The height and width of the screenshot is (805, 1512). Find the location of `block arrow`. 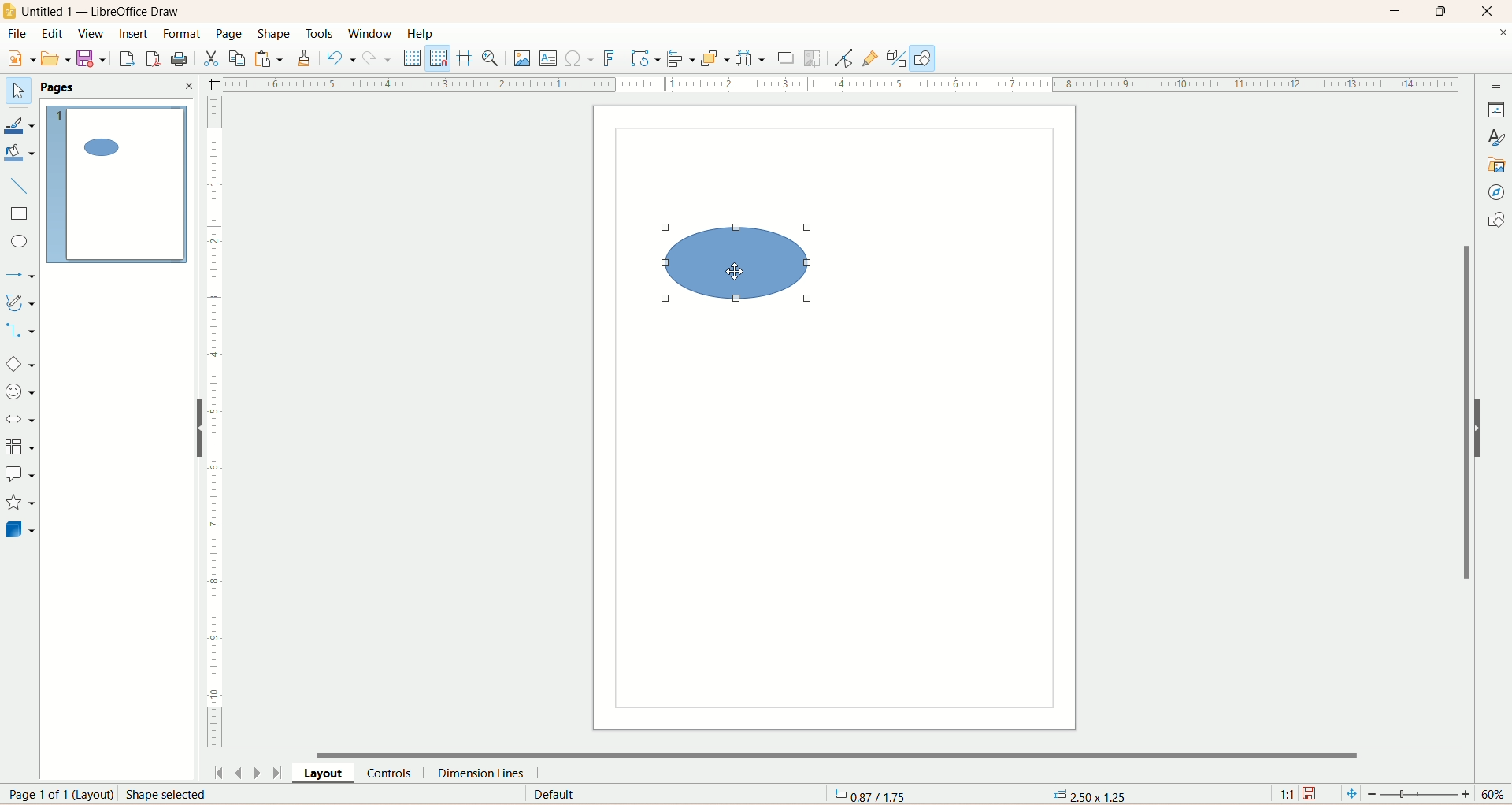

block arrow is located at coordinates (19, 421).